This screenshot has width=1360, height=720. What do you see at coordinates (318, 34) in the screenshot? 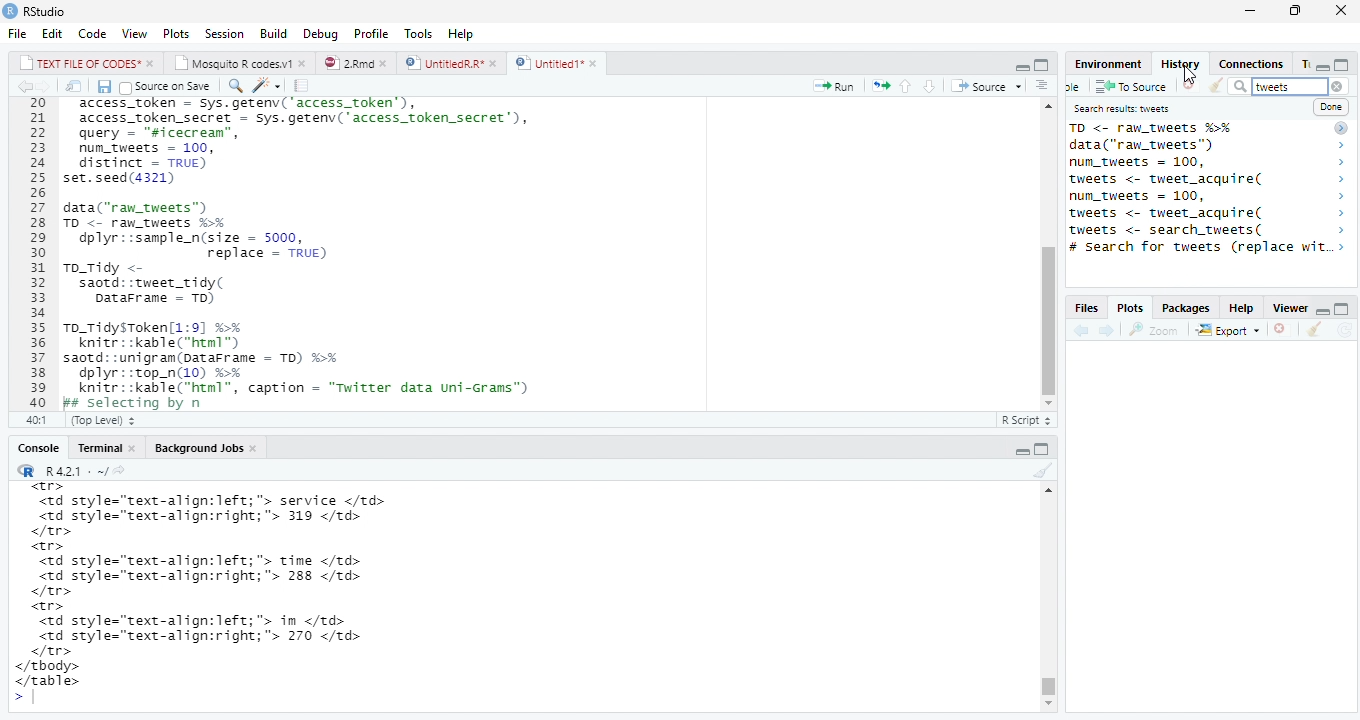
I see `Debug` at bounding box center [318, 34].